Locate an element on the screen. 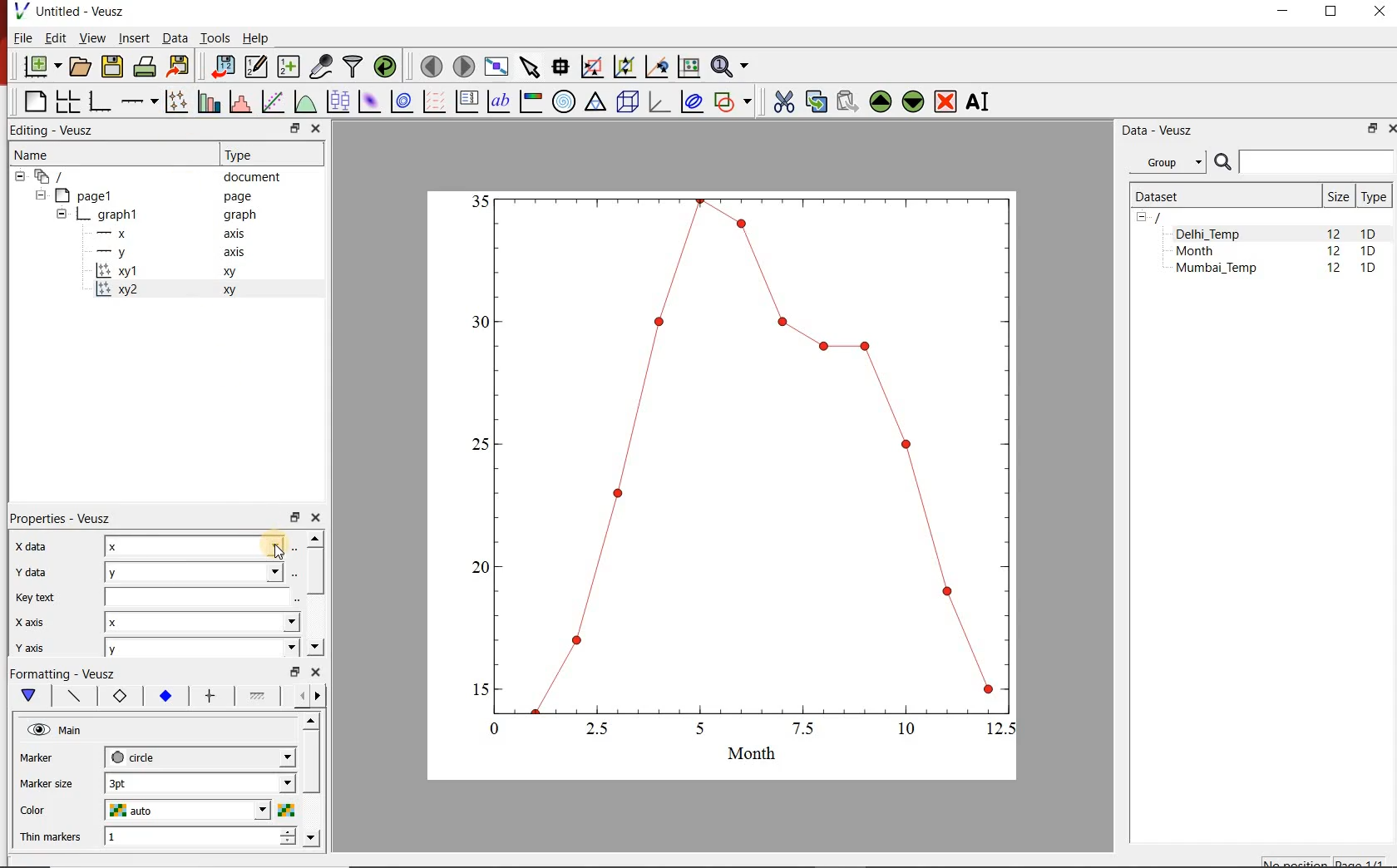  x is located at coordinates (201, 546).